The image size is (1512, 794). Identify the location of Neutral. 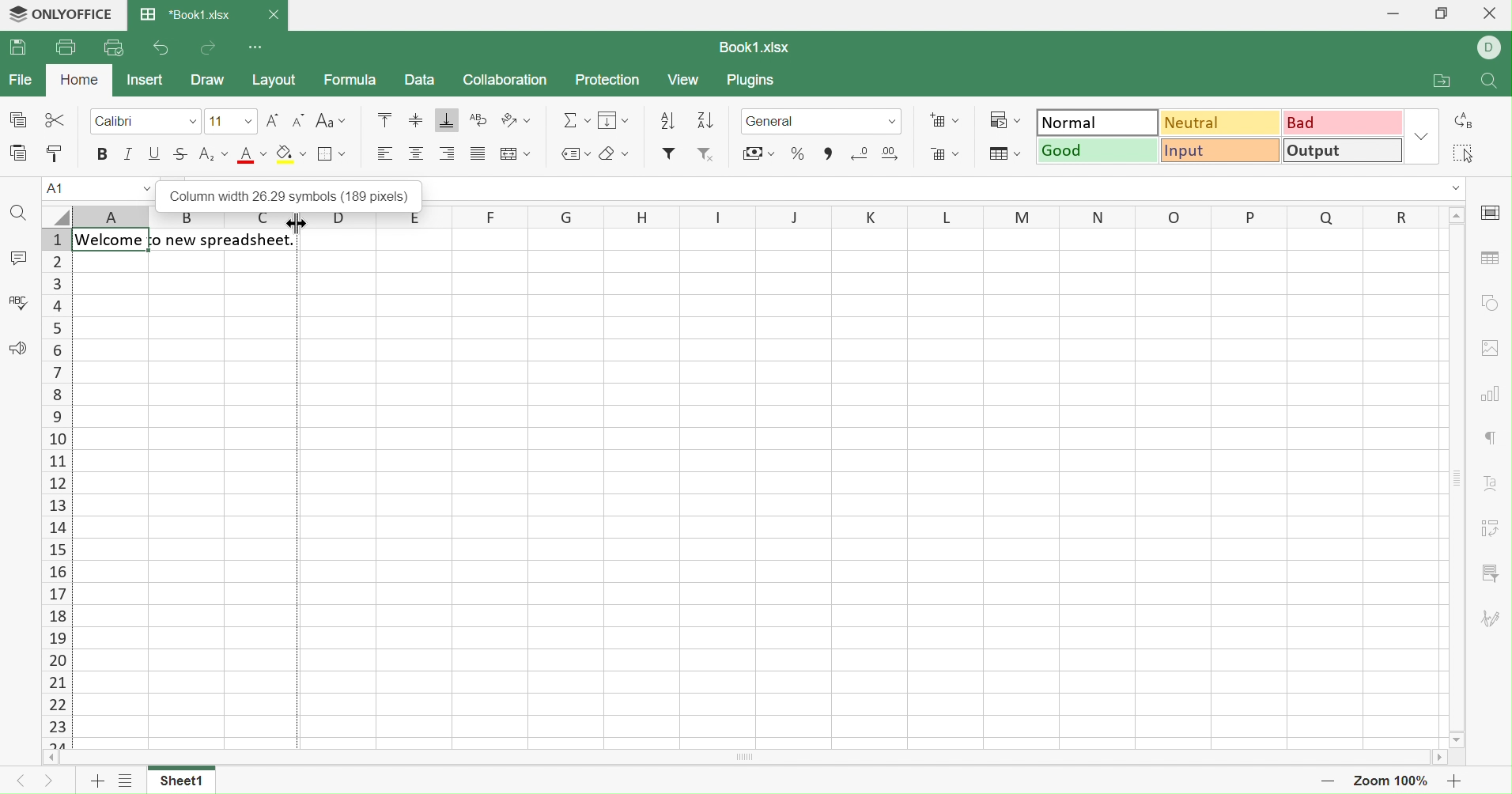
(1223, 123).